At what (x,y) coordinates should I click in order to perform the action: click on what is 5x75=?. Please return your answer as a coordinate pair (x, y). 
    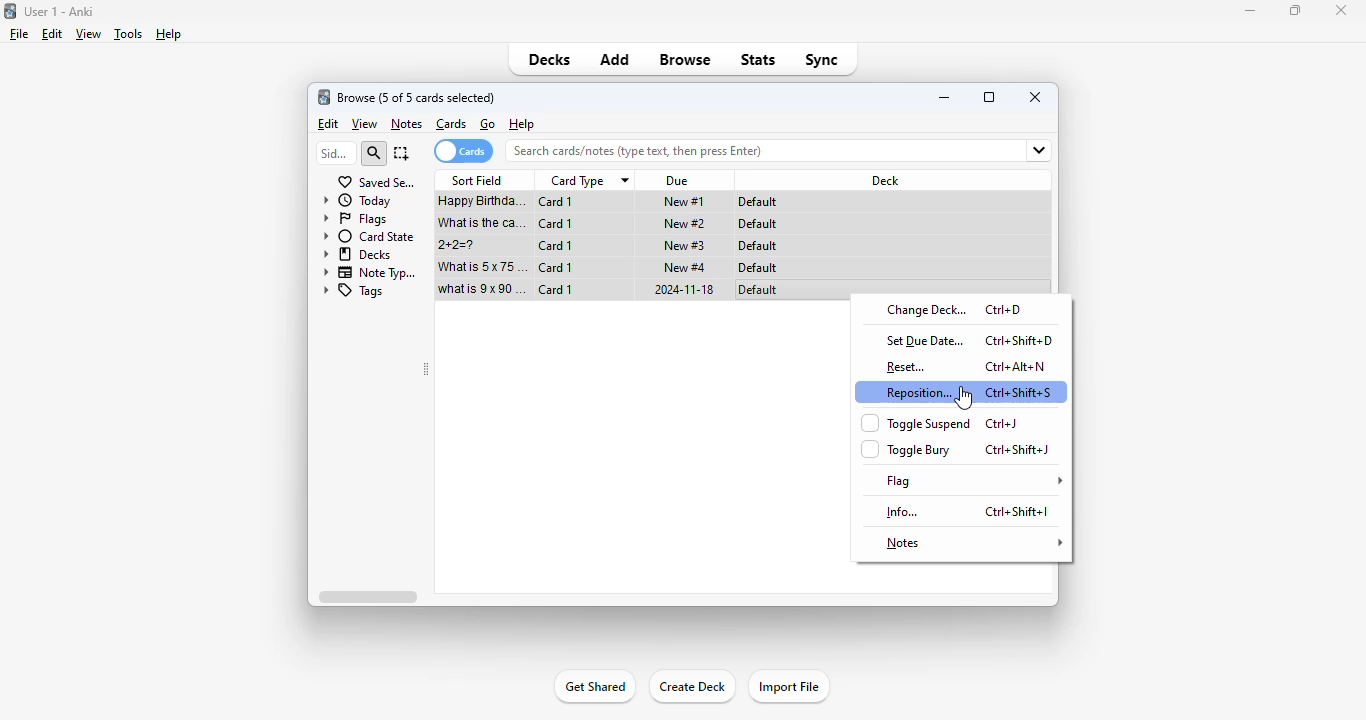
    Looking at the image, I should click on (483, 266).